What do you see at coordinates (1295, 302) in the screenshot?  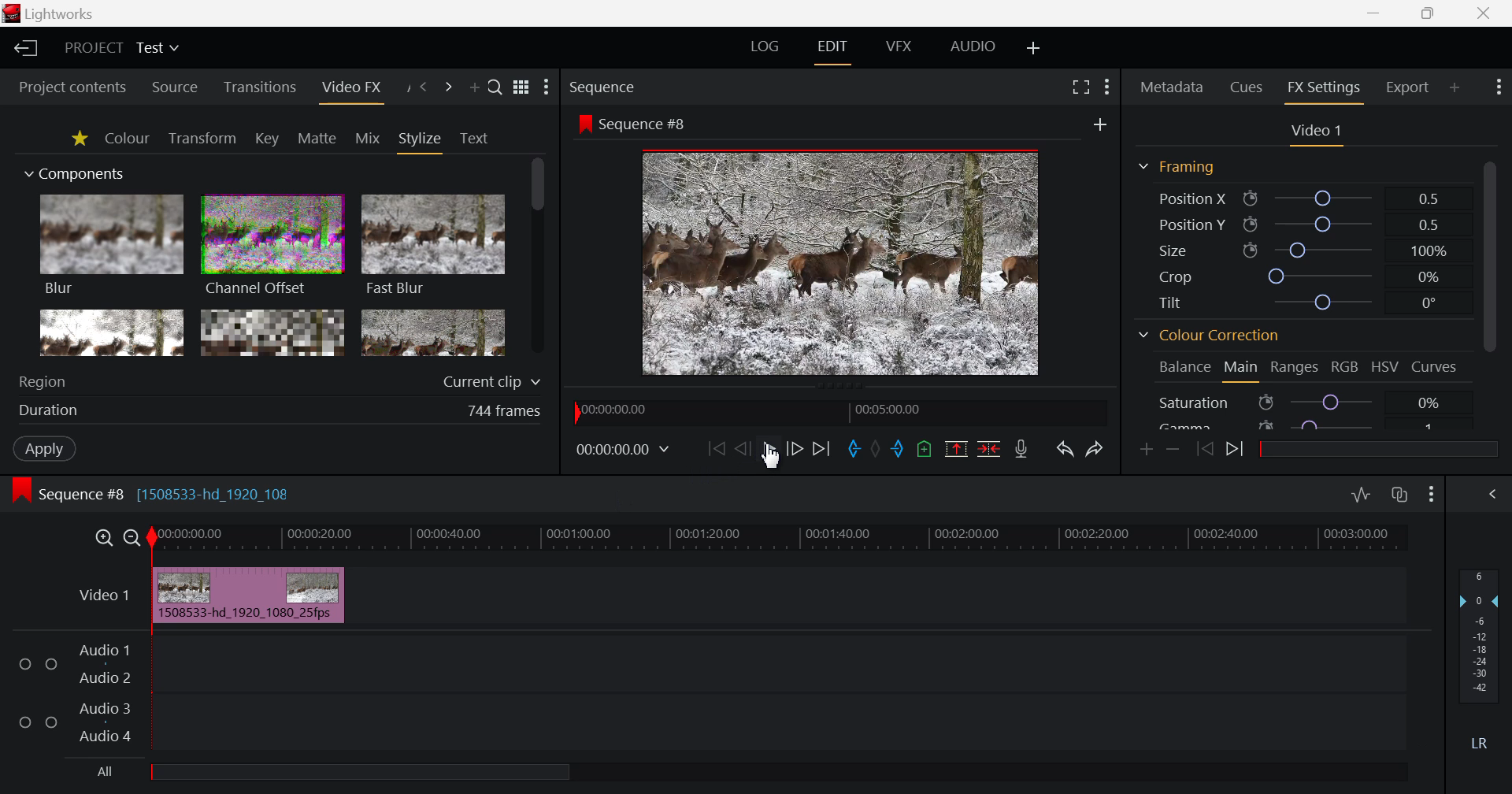 I see `Tilt` at bounding box center [1295, 302].